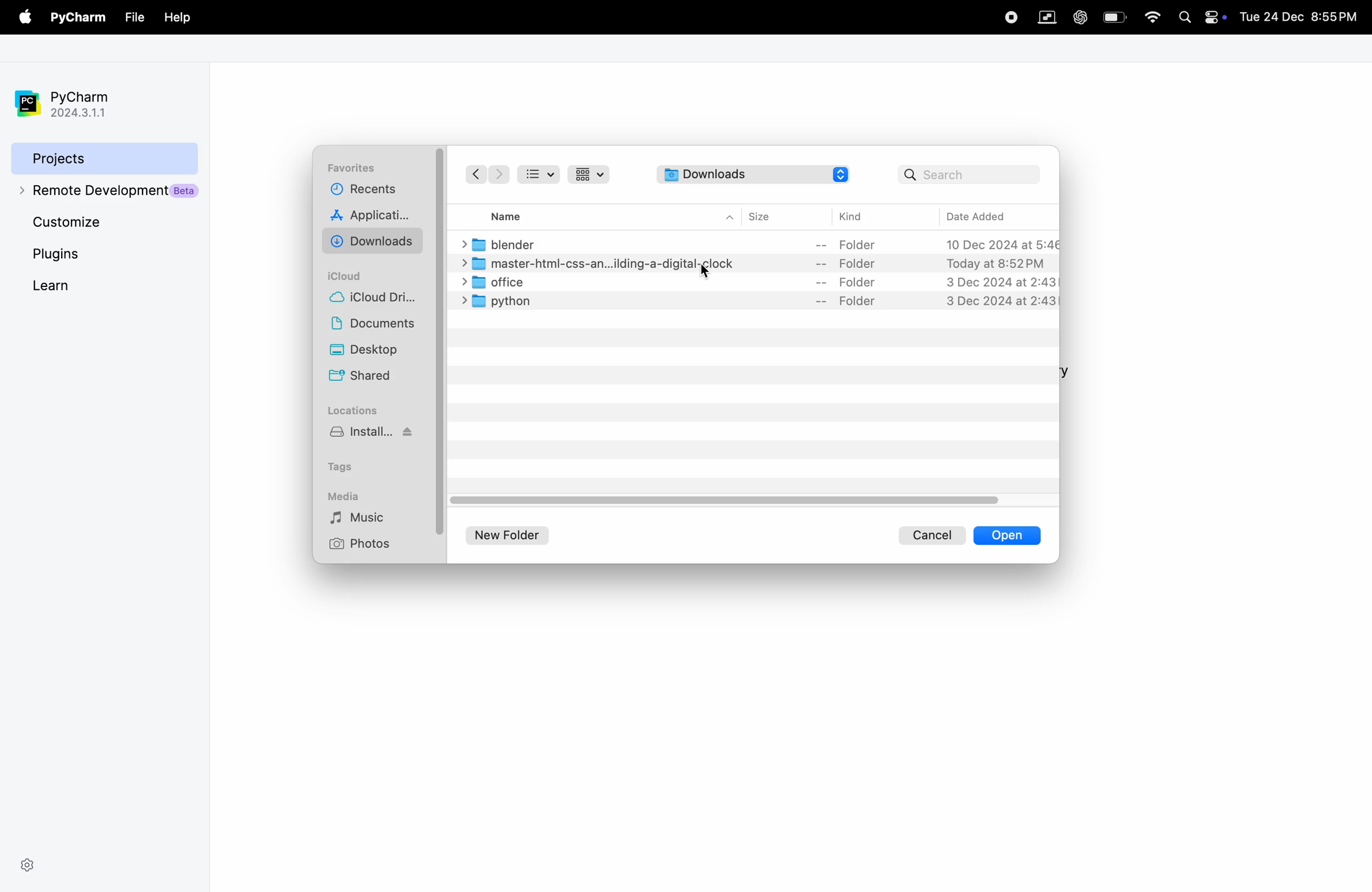 This screenshot has height=892, width=1372. Describe the element at coordinates (1009, 16) in the screenshot. I see `record` at that location.